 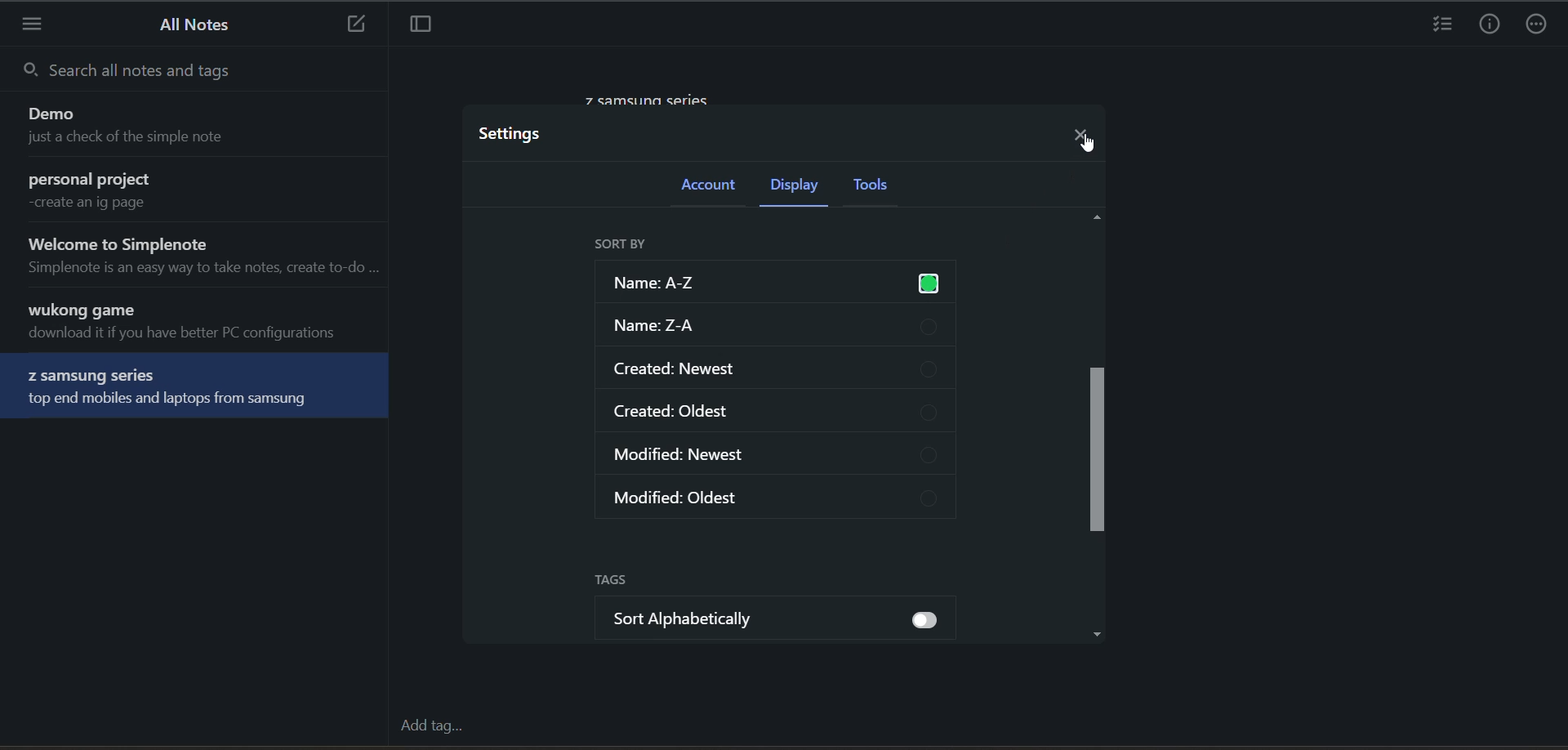 I want to click on created: newest, so click(x=780, y=369).